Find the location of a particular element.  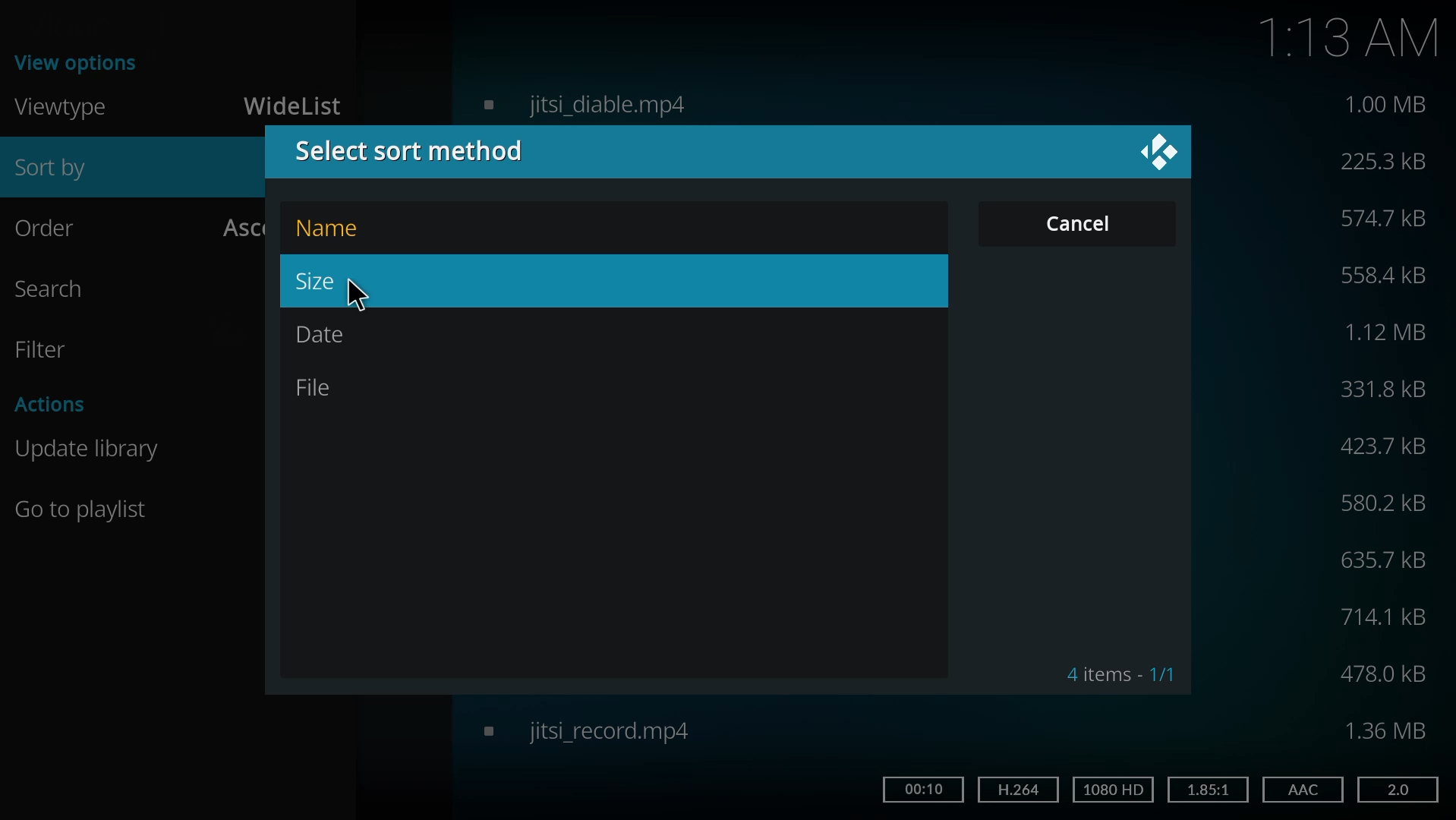

select is located at coordinates (415, 150).